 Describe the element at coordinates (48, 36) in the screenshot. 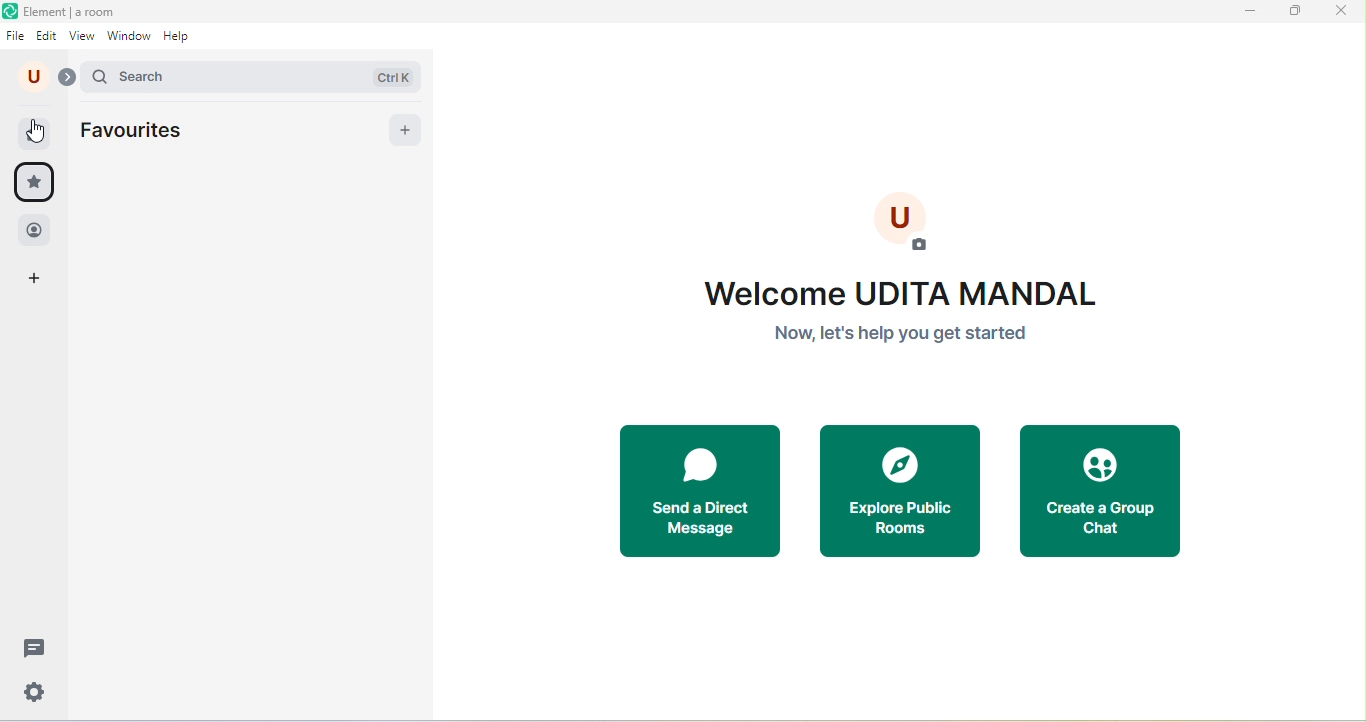

I see `edit` at that location.